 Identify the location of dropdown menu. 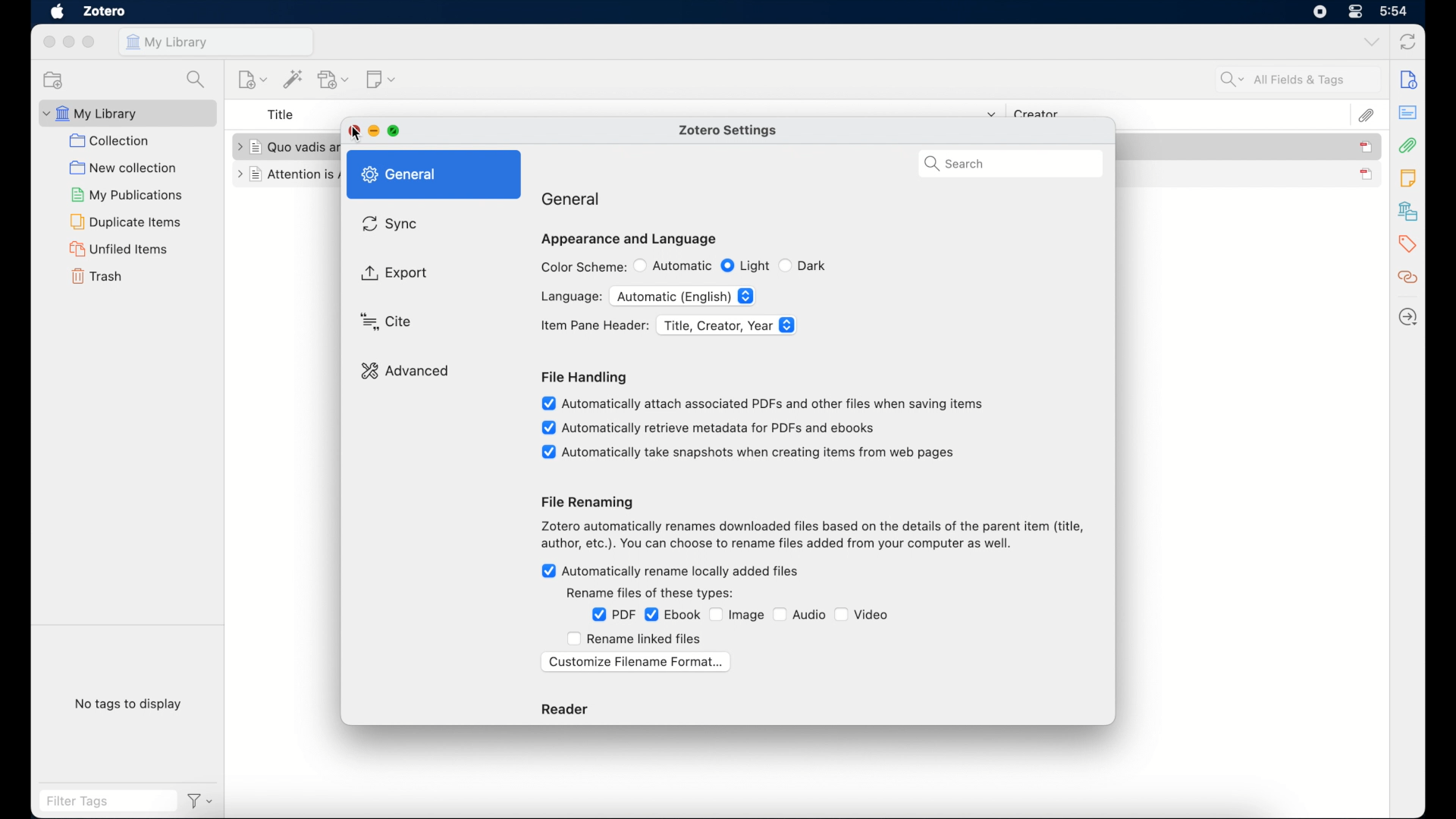
(1370, 43).